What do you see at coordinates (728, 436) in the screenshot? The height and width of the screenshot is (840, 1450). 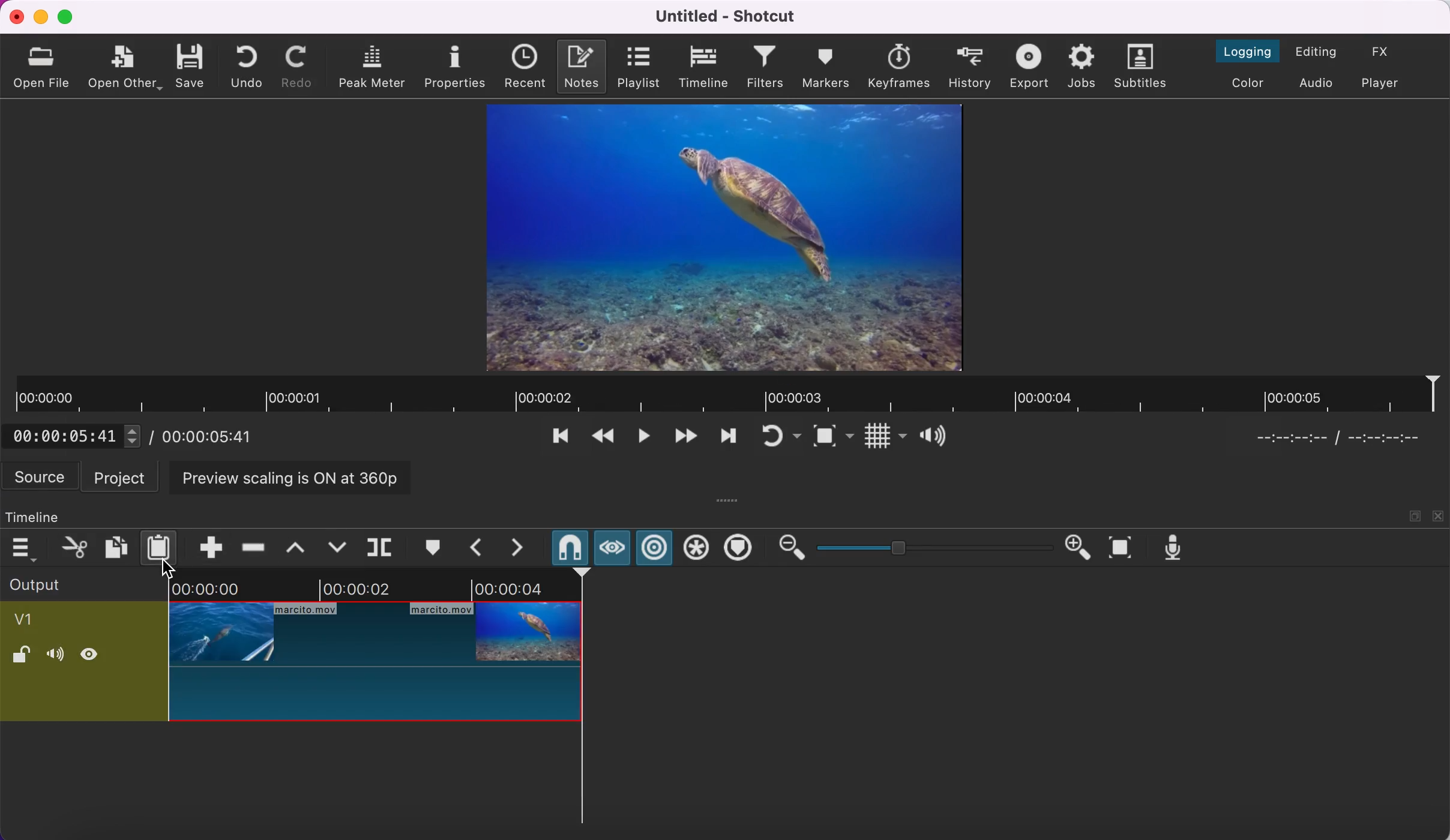 I see `skip to next point` at bounding box center [728, 436].